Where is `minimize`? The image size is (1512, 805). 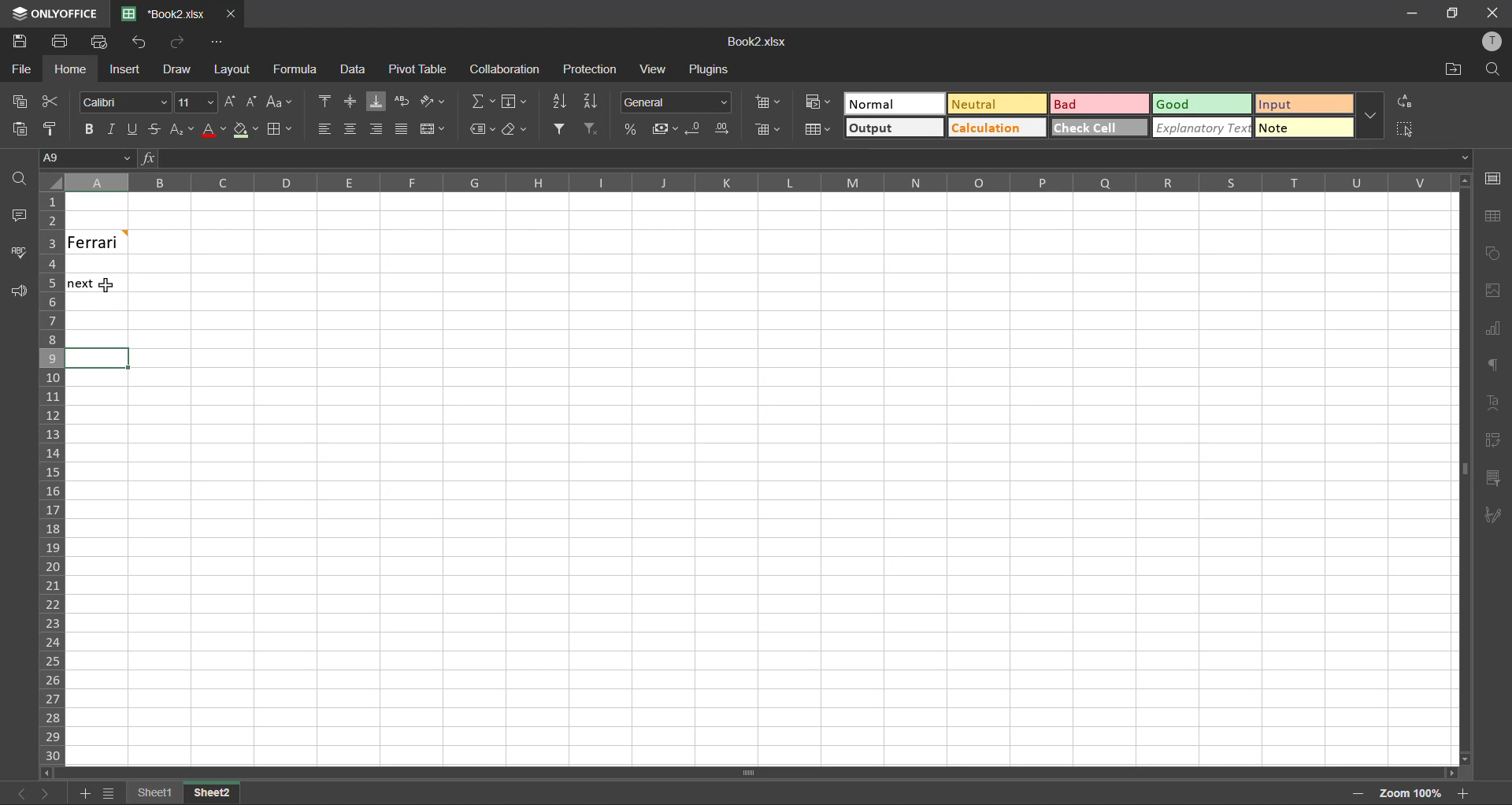
minimize is located at coordinates (1407, 13).